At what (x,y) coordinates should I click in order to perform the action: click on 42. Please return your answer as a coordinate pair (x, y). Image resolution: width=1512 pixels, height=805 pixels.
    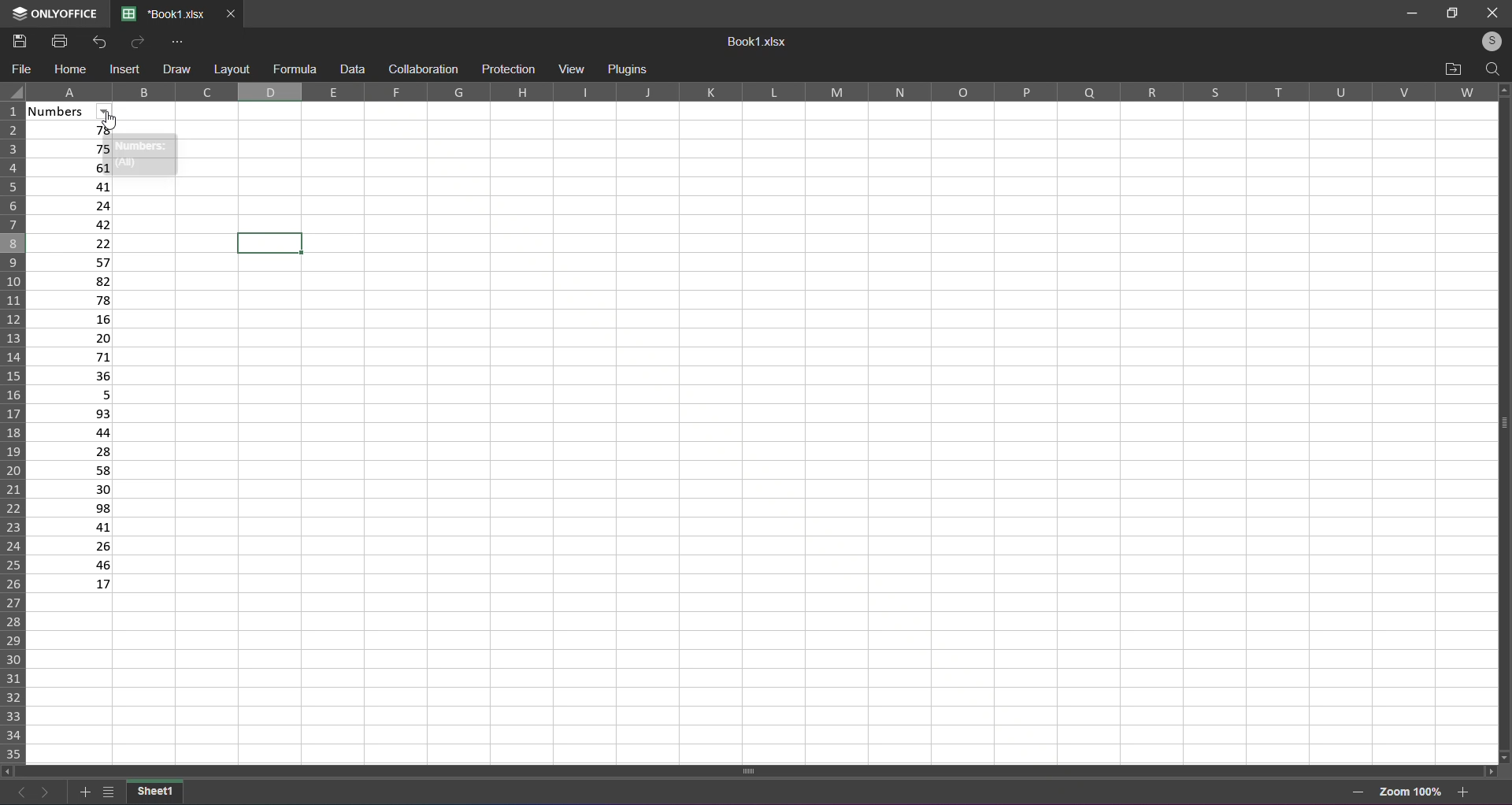
    Looking at the image, I should click on (76, 224).